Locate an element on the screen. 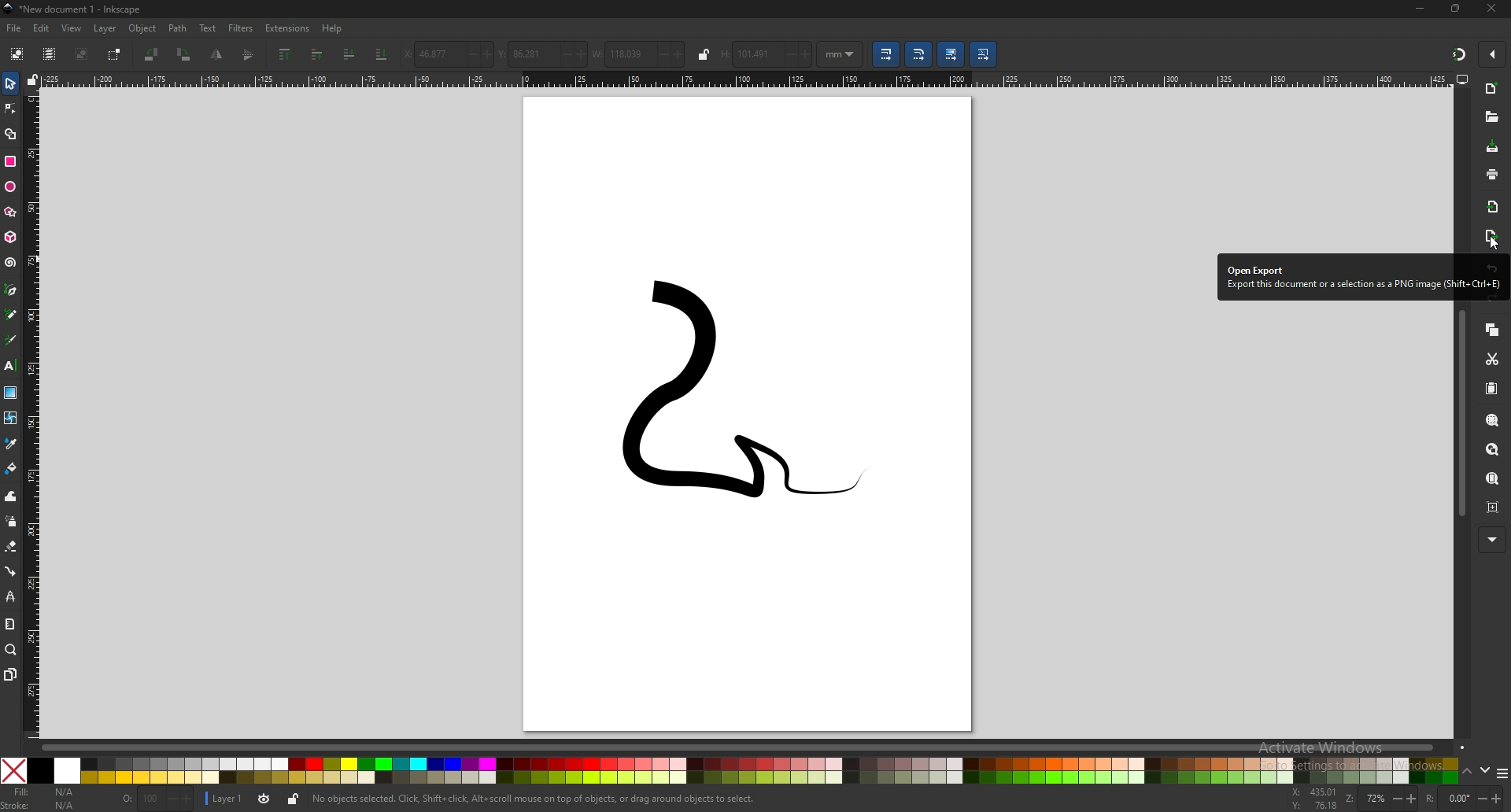 The height and width of the screenshot is (812, 1511). raise selection to top is located at coordinates (285, 55).